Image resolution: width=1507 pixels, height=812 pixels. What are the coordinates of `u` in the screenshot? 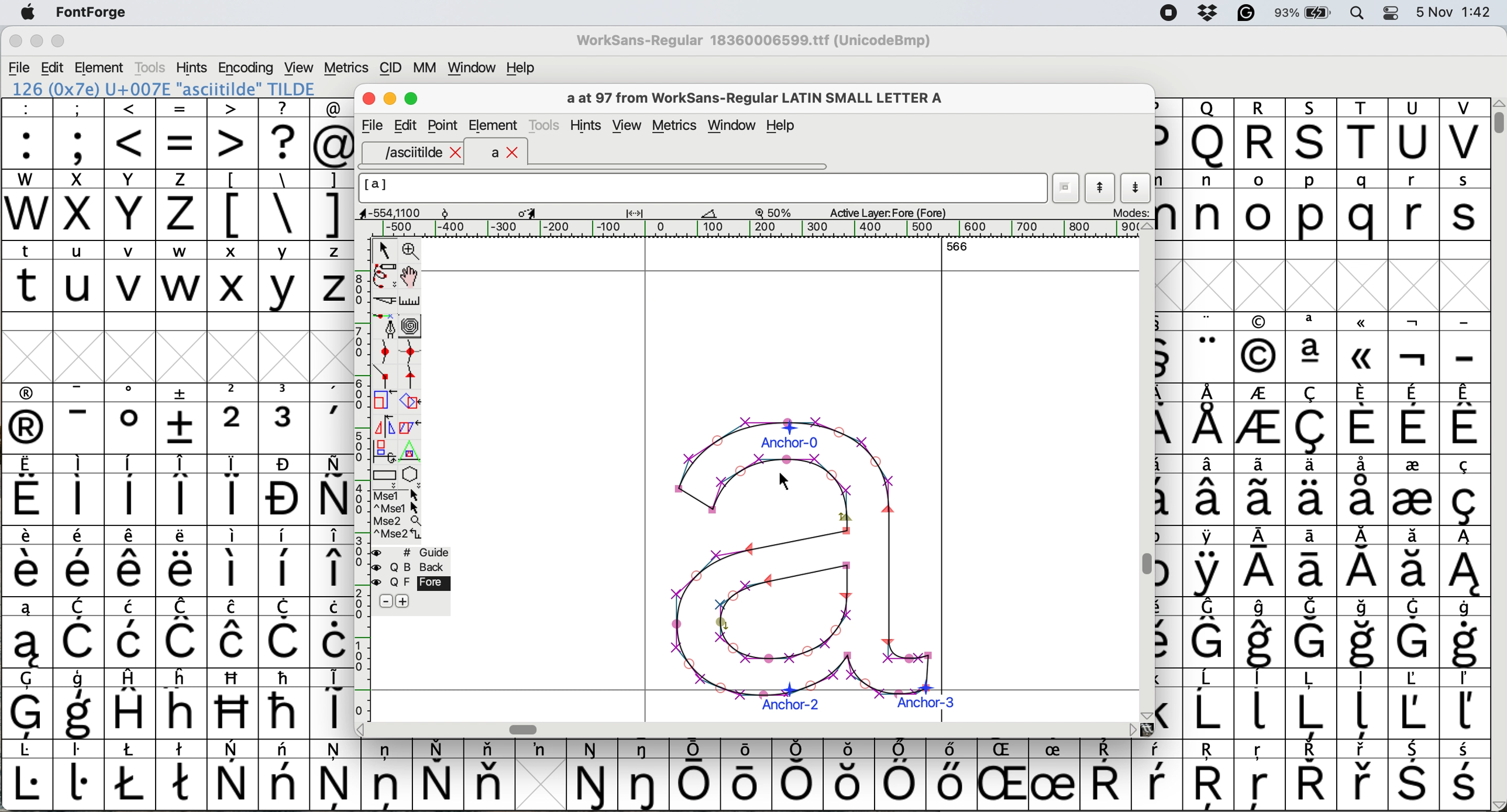 It's located at (80, 276).